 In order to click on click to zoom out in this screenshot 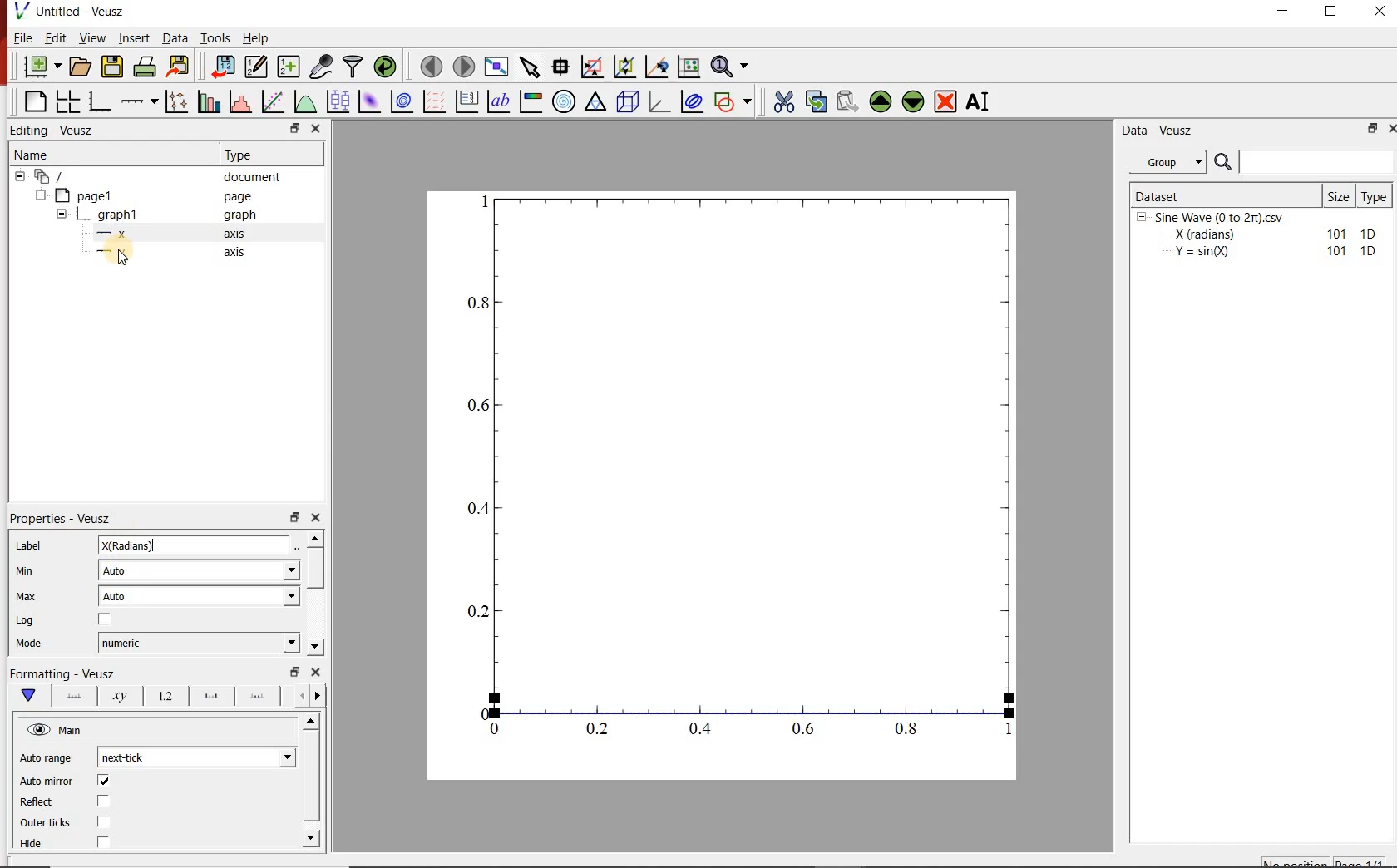, I will do `click(627, 65)`.